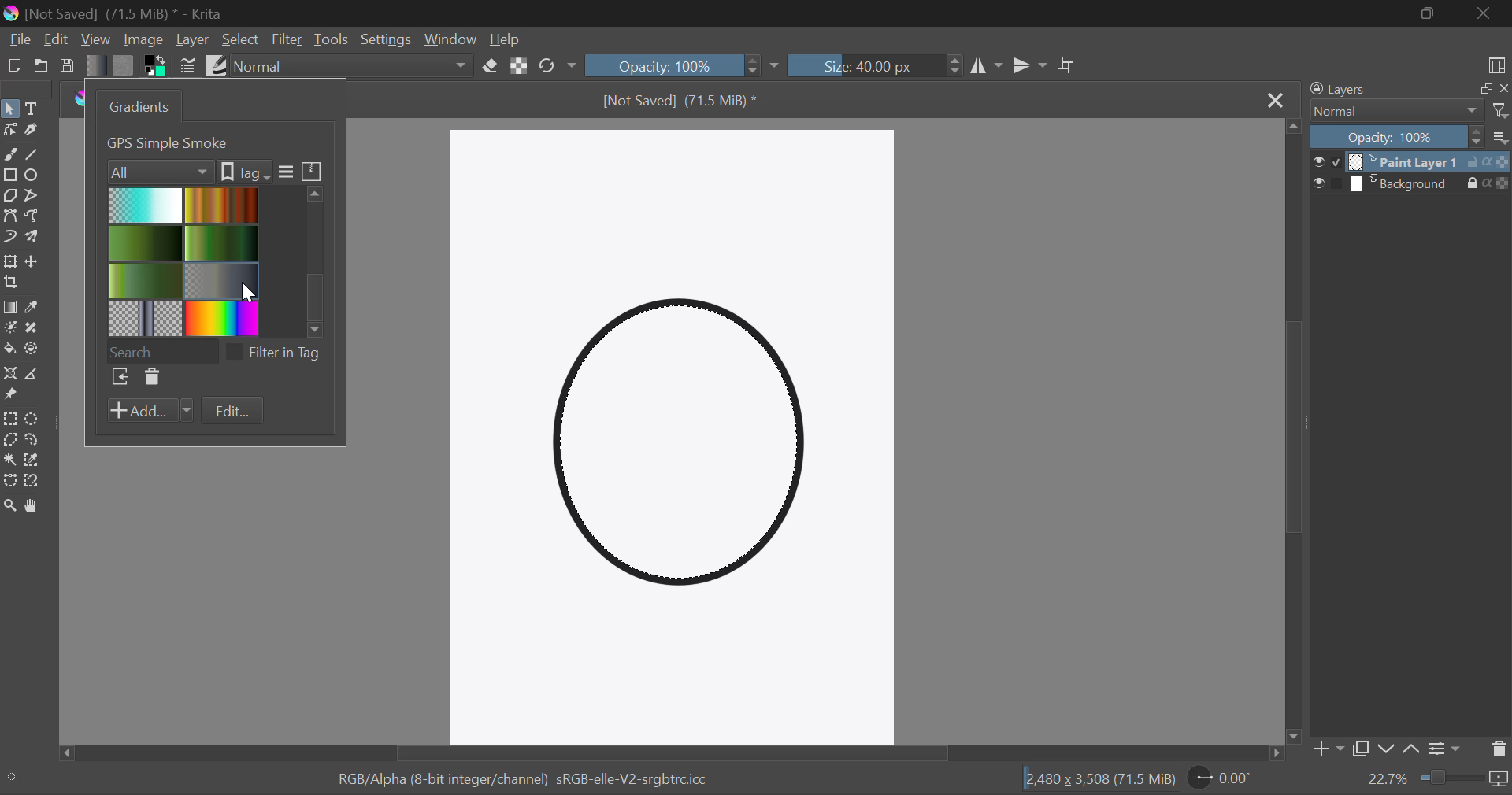  Describe the element at coordinates (34, 238) in the screenshot. I see `Multibrush` at that location.